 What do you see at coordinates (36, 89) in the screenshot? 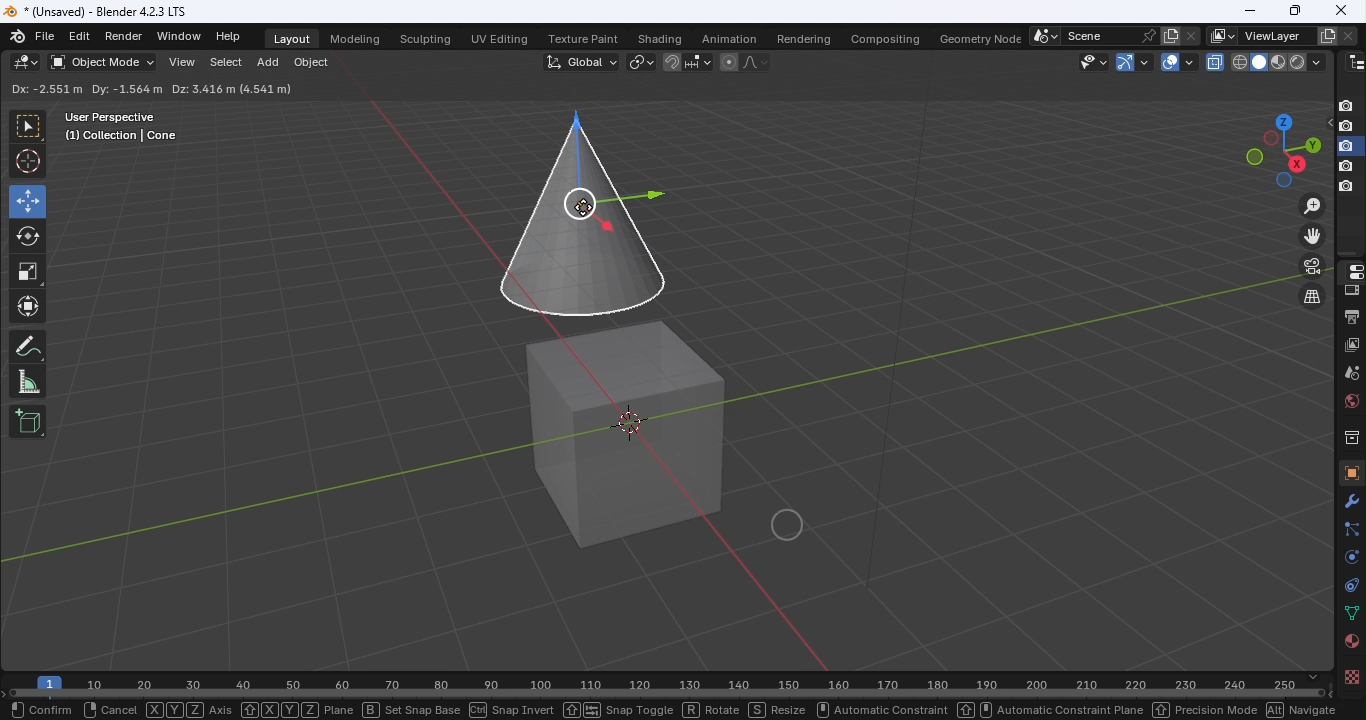
I see `Orientation` at bounding box center [36, 89].